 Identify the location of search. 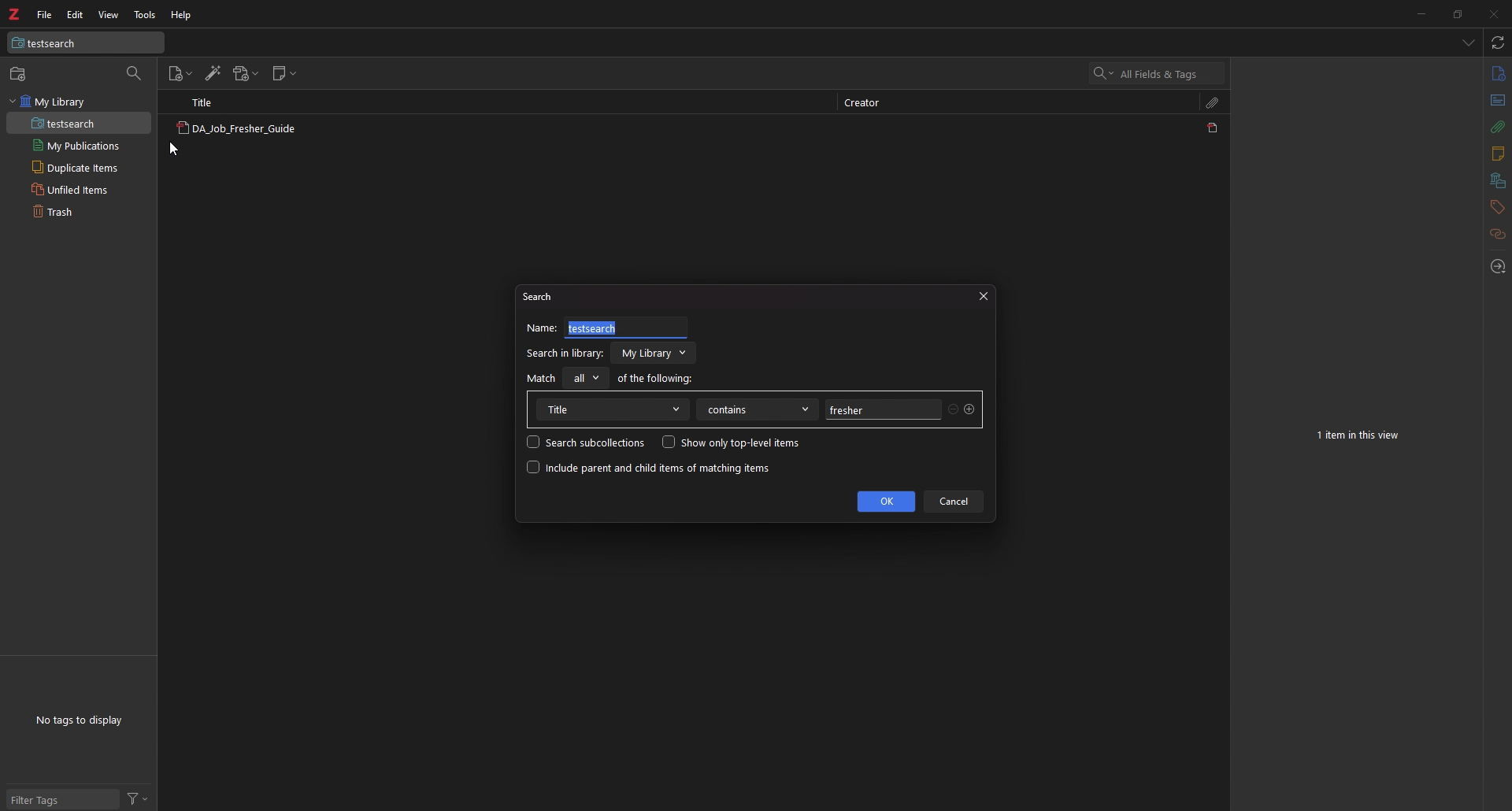
(542, 295).